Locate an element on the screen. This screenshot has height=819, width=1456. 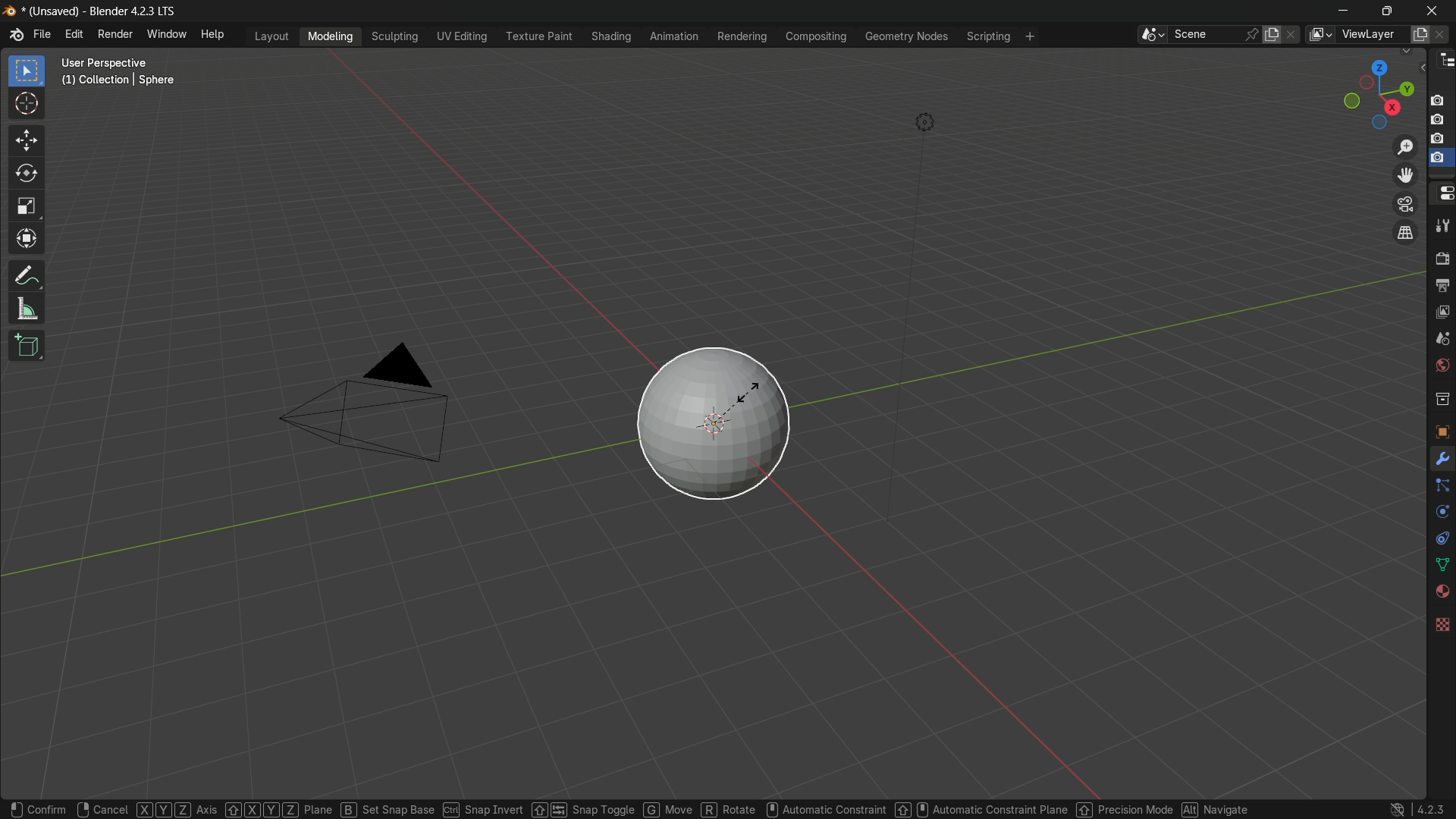
4.2.3 is located at coordinates (1414, 802).